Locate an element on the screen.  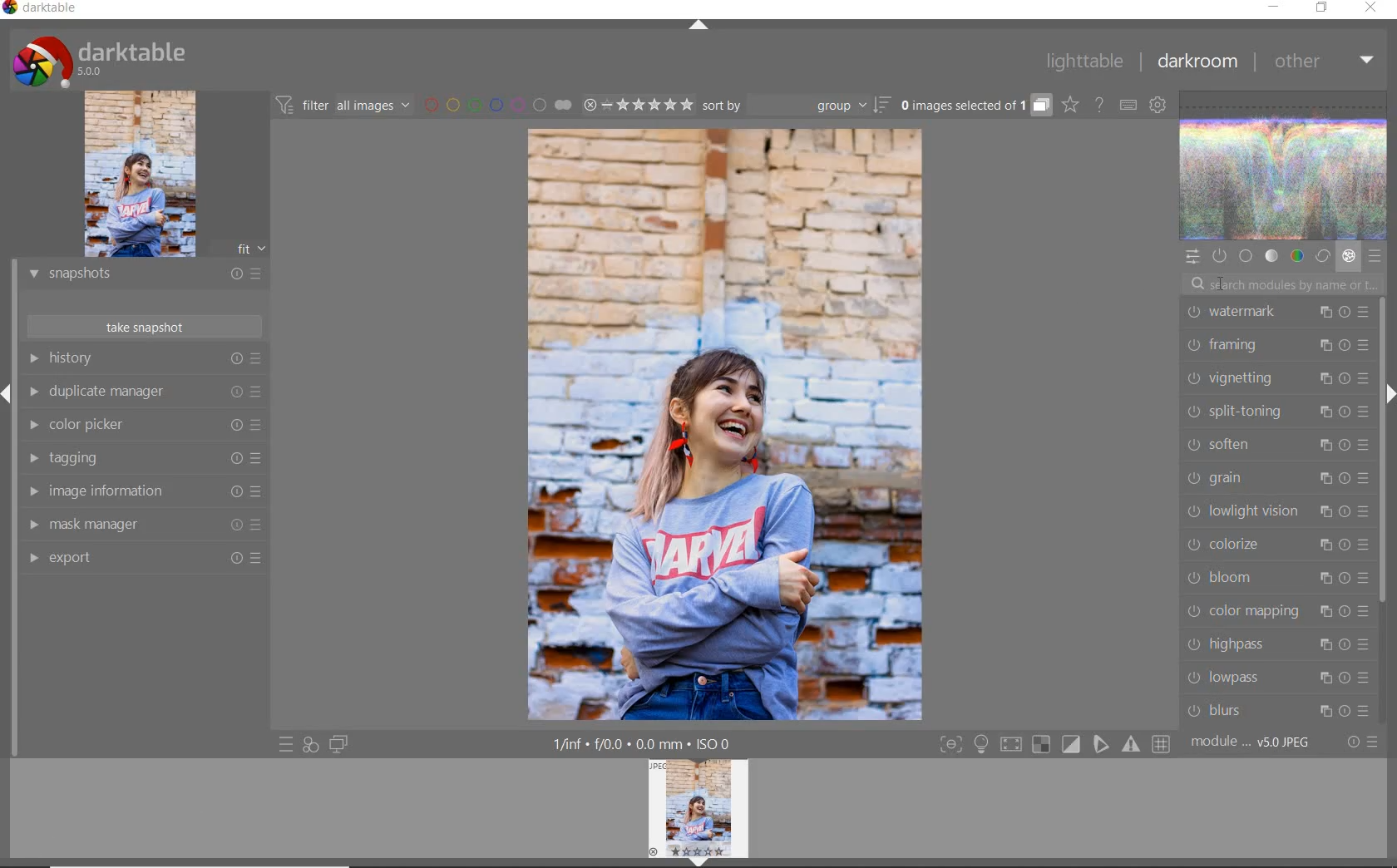
Darktable 5.0.0 is located at coordinates (99, 60).